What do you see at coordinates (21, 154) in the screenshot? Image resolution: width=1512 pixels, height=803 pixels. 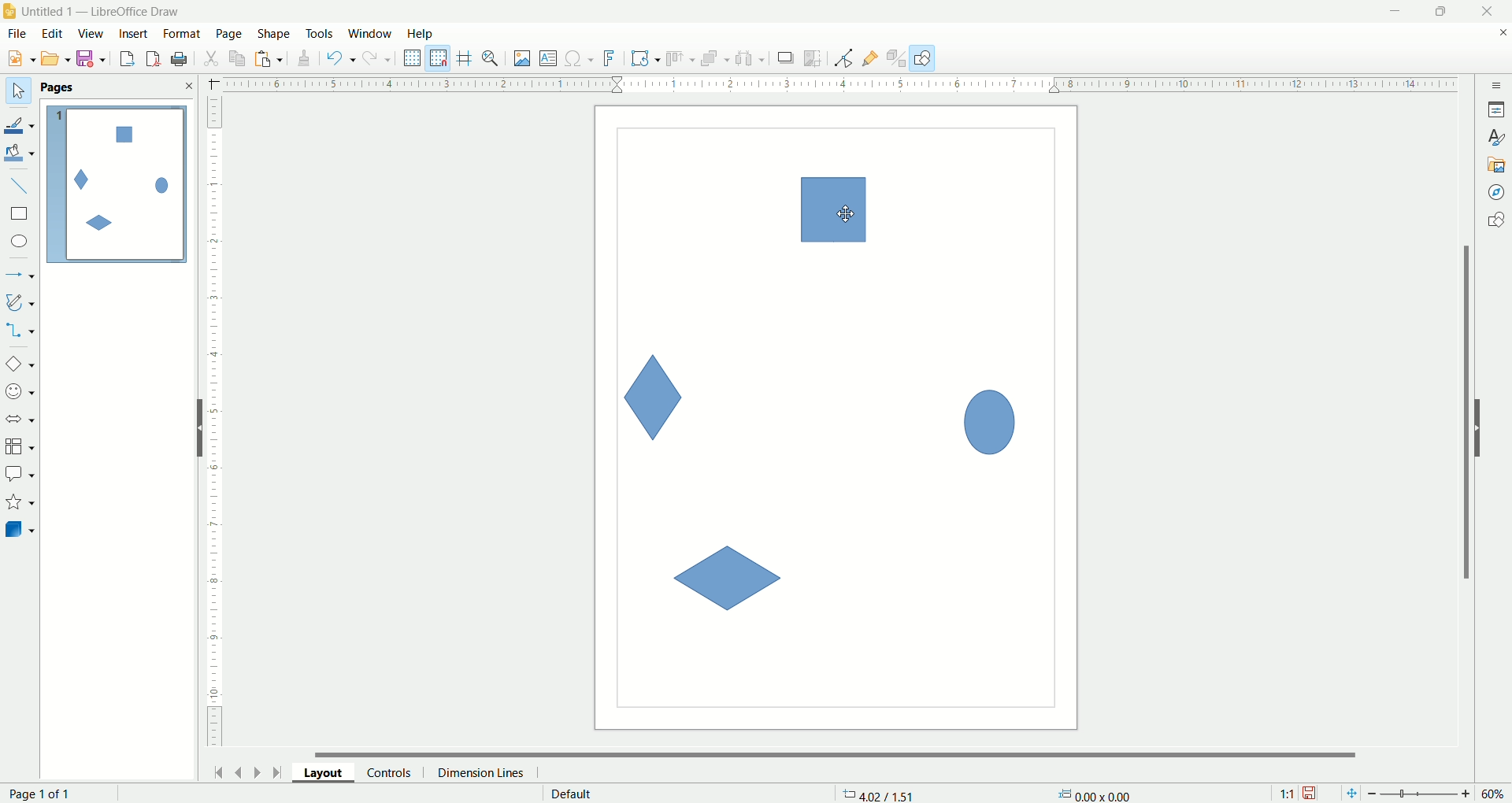 I see `fill color` at bounding box center [21, 154].